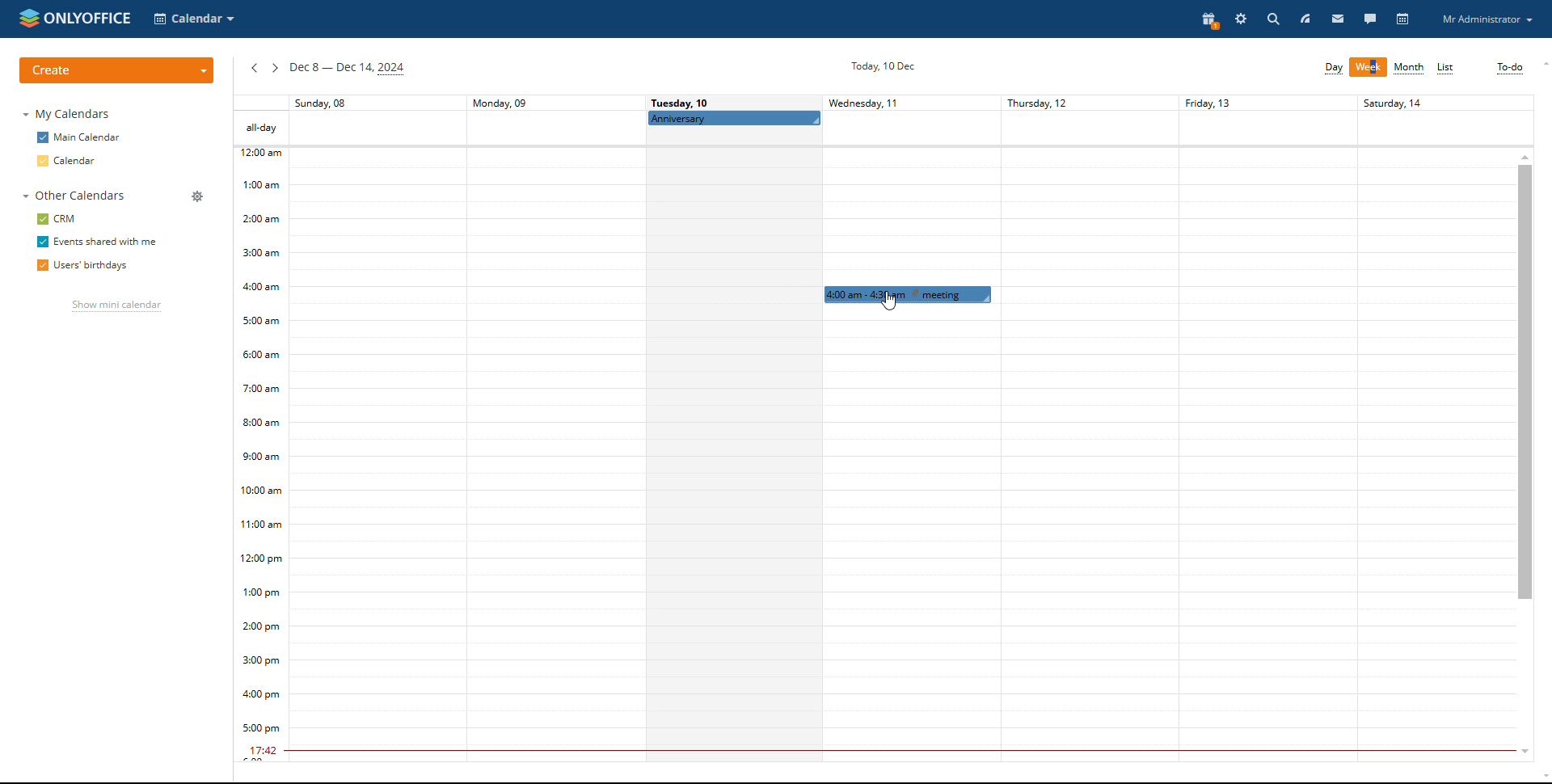  I want to click on search, so click(1272, 19).